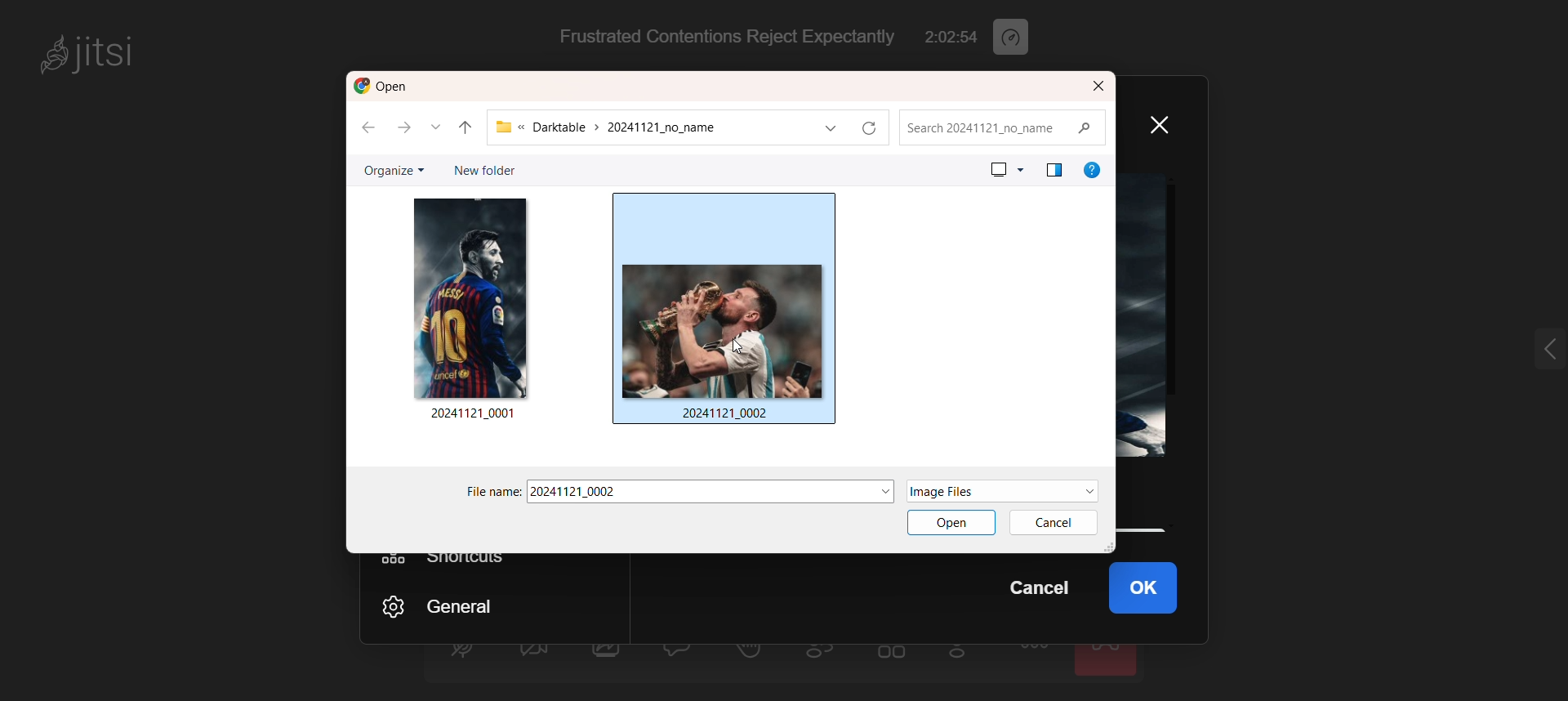  I want to click on dropdown, so click(881, 489).